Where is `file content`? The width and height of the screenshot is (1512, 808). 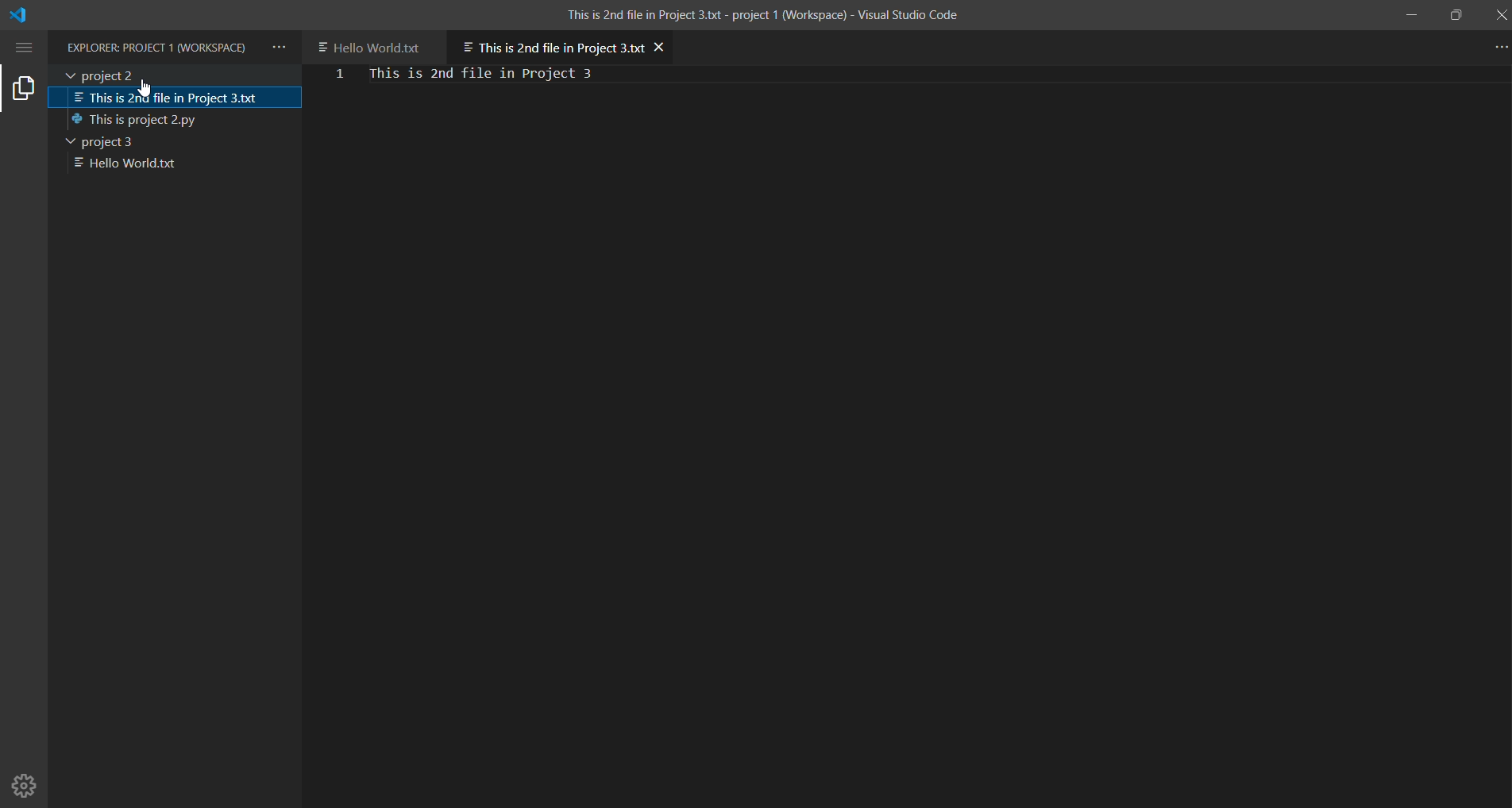 file content is located at coordinates (511, 74).